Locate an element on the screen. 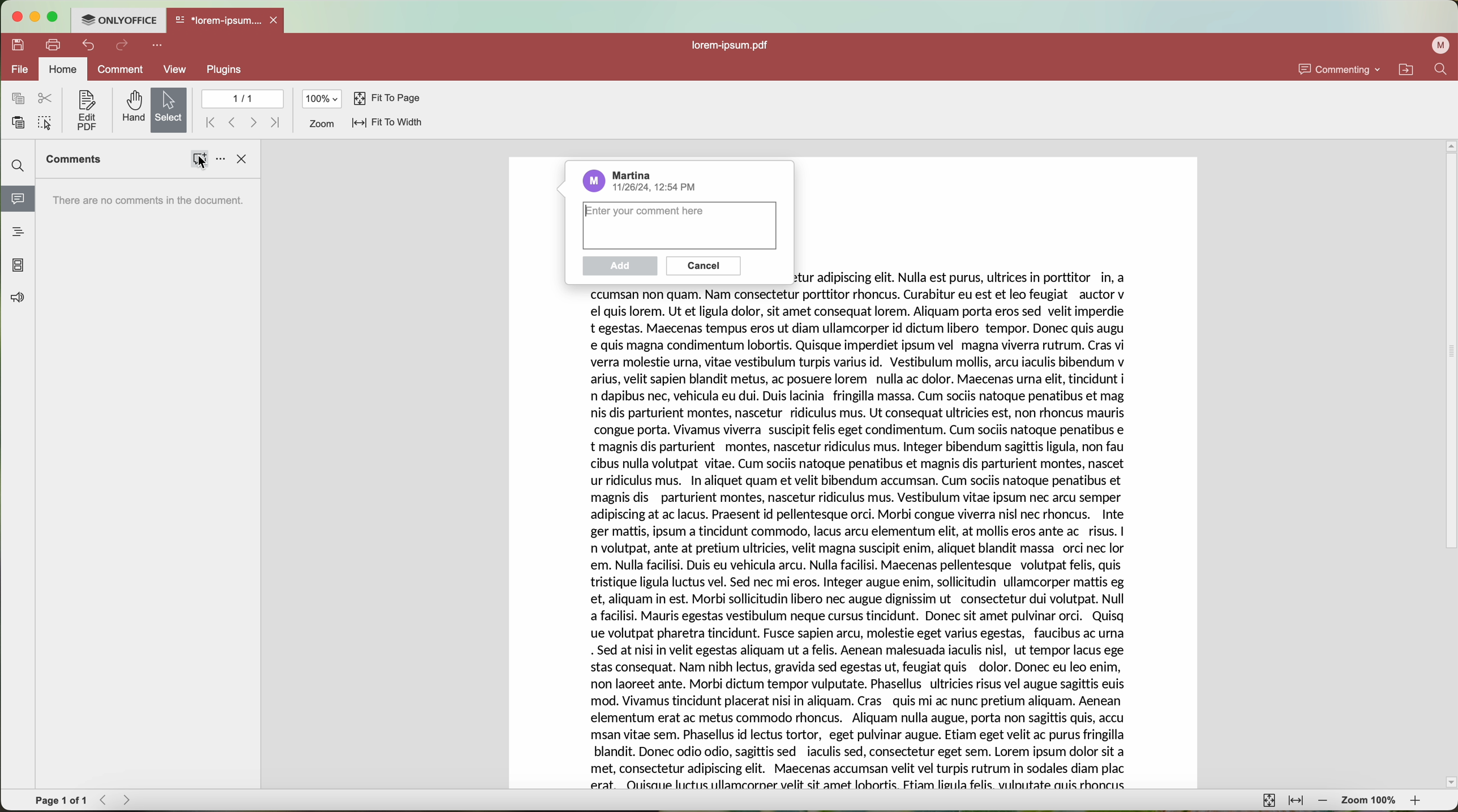  plugins is located at coordinates (223, 71).